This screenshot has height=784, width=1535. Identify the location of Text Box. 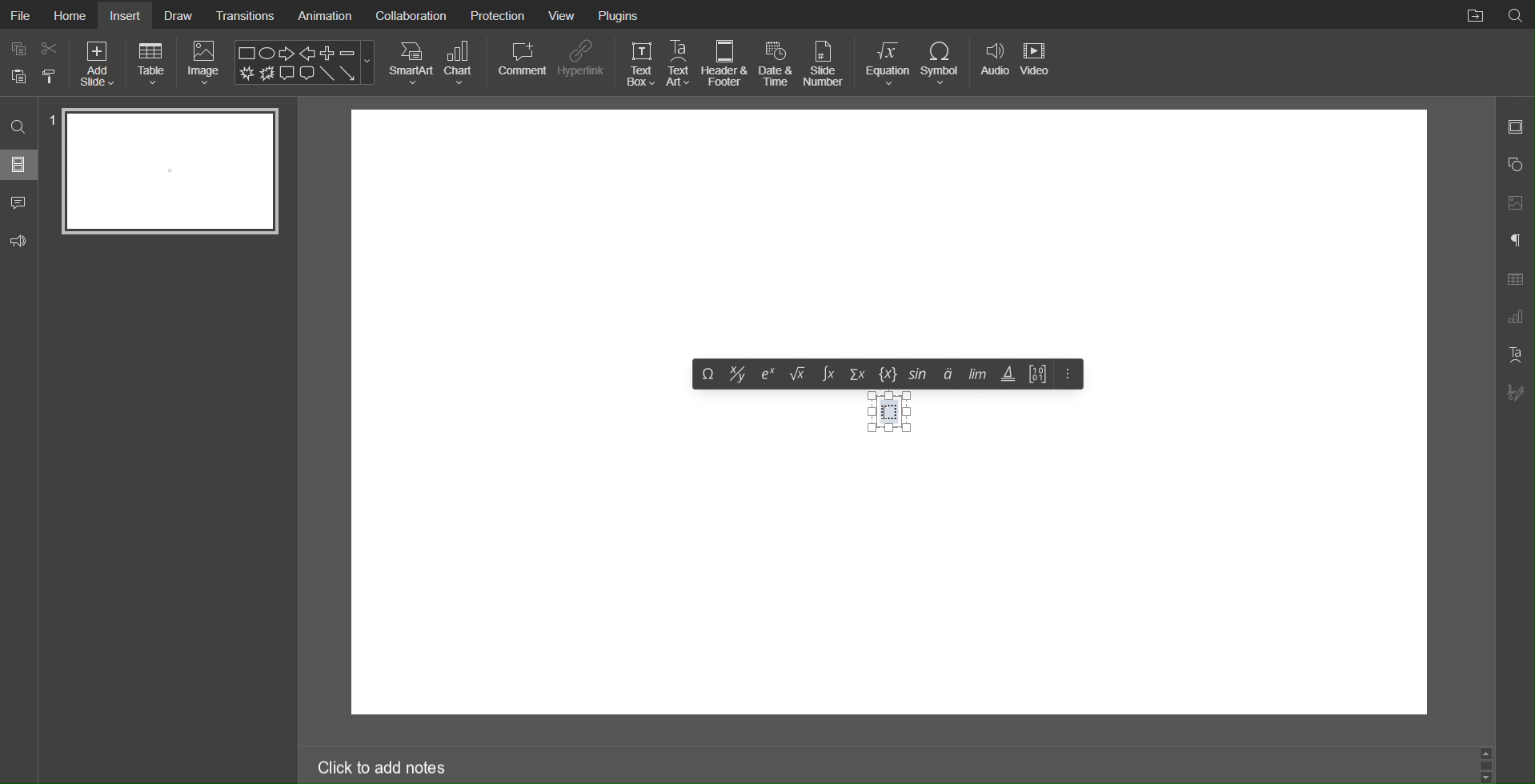
(638, 63).